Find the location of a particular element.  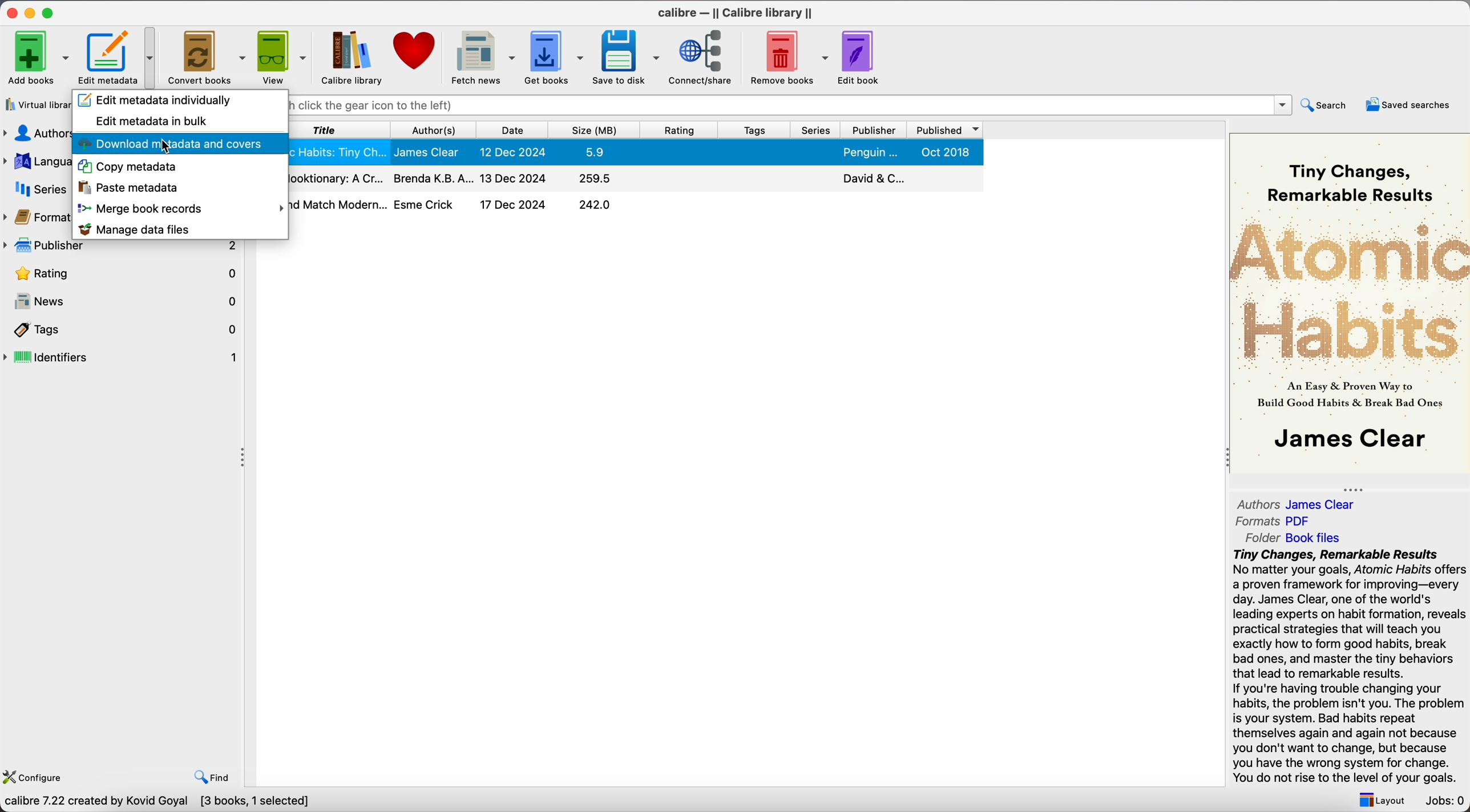

manage data files is located at coordinates (151, 230).